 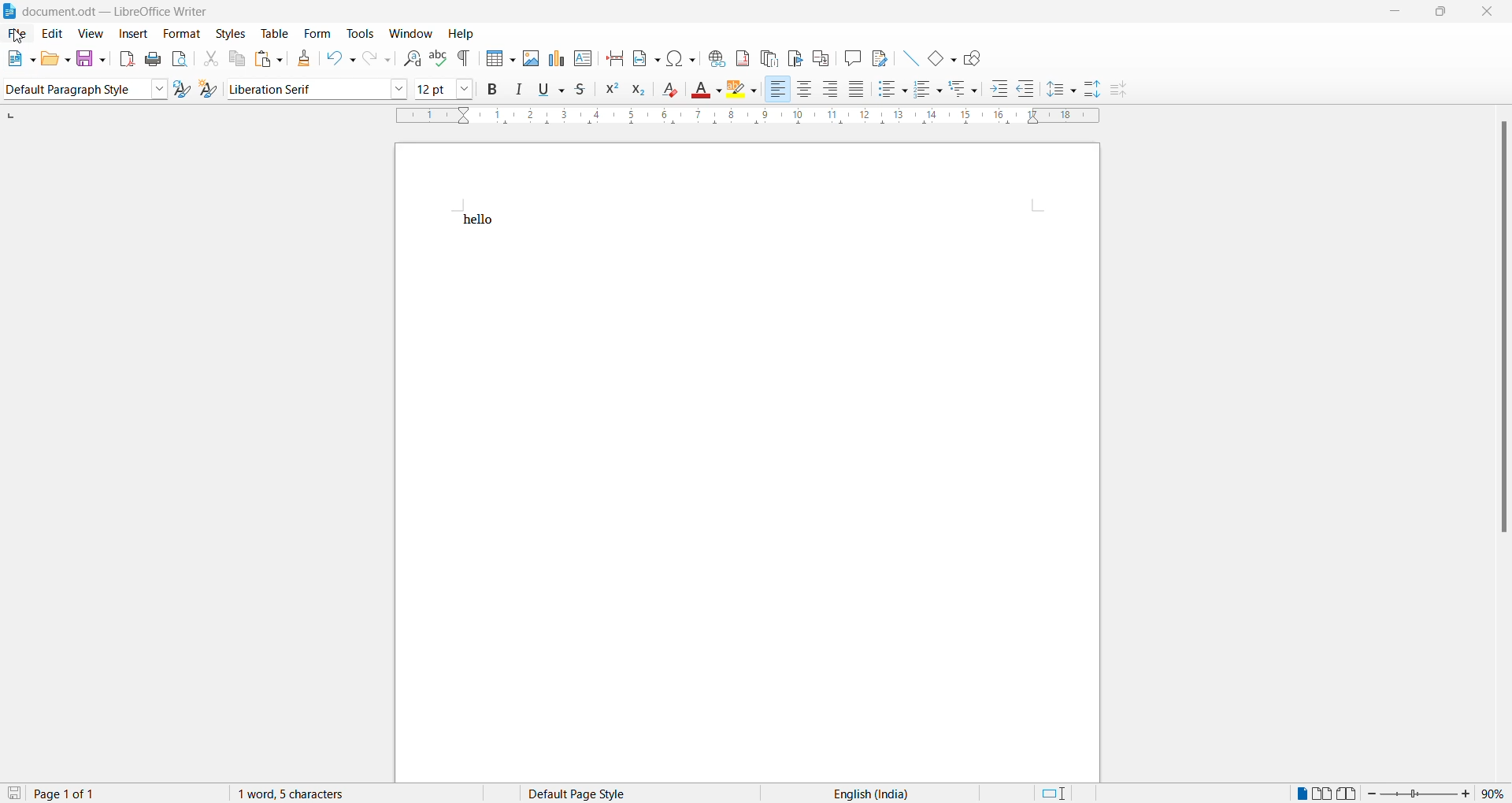 What do you see at coordinates (804, 90) in the screenshot?
I see `Align Centre` at bounding box center [804, 90].